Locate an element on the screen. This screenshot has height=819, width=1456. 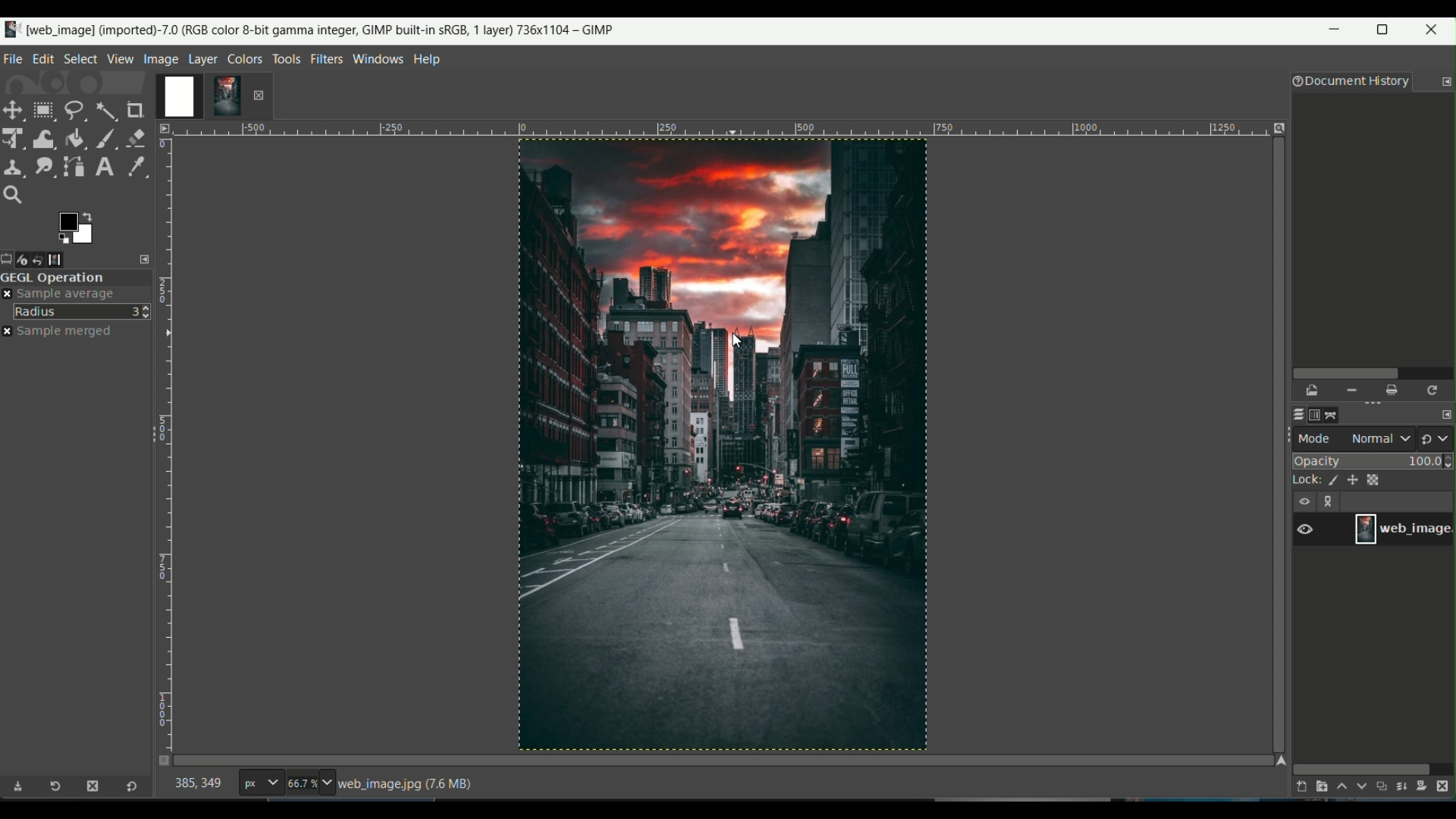
unified transform tool is located at coordinates (14, 137).